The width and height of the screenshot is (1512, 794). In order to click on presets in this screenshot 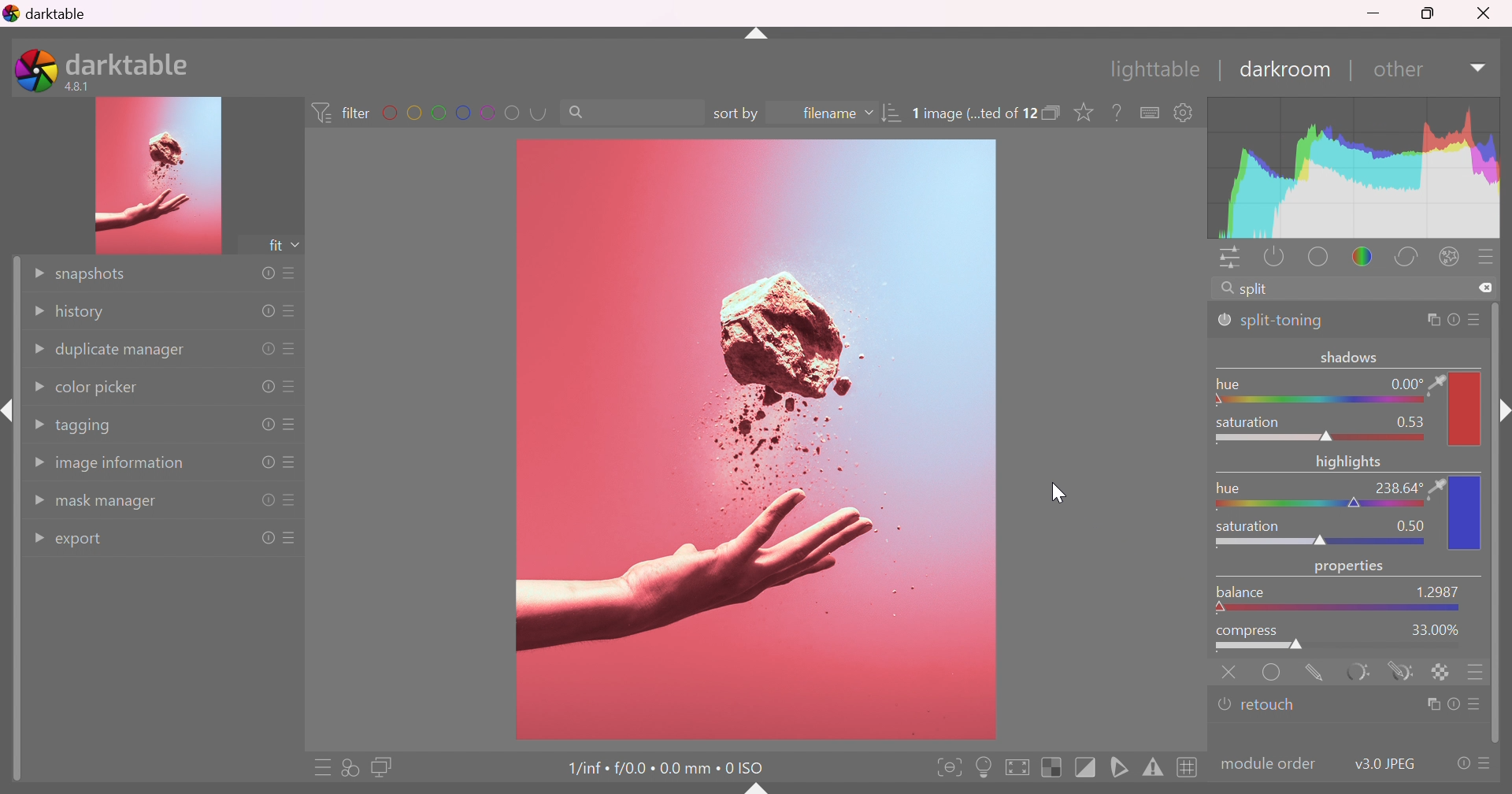, I will do `click(291, 501)`.